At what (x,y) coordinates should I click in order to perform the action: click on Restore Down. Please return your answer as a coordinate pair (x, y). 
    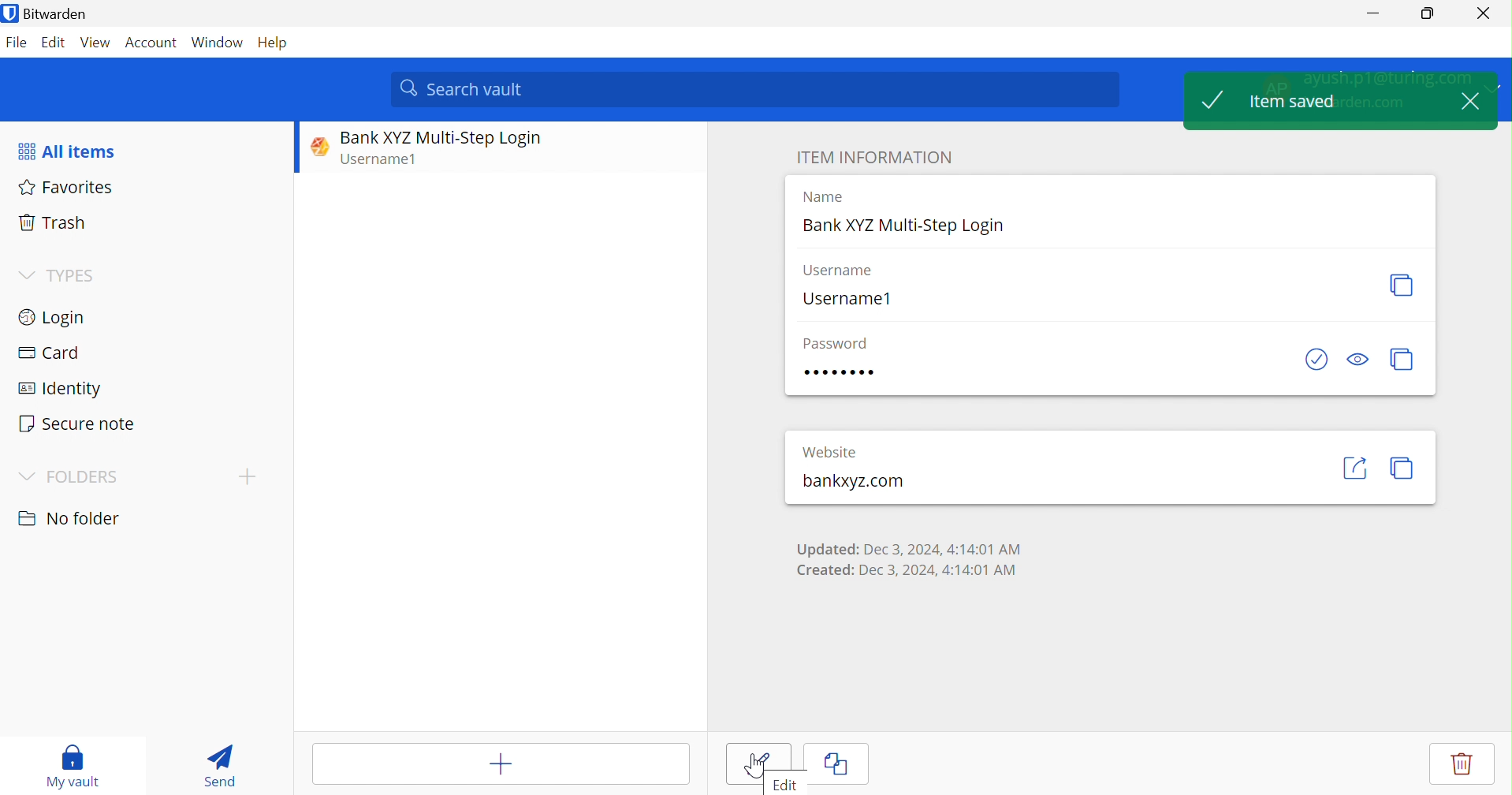
    Looking at the image, I should click on (1428, 11).